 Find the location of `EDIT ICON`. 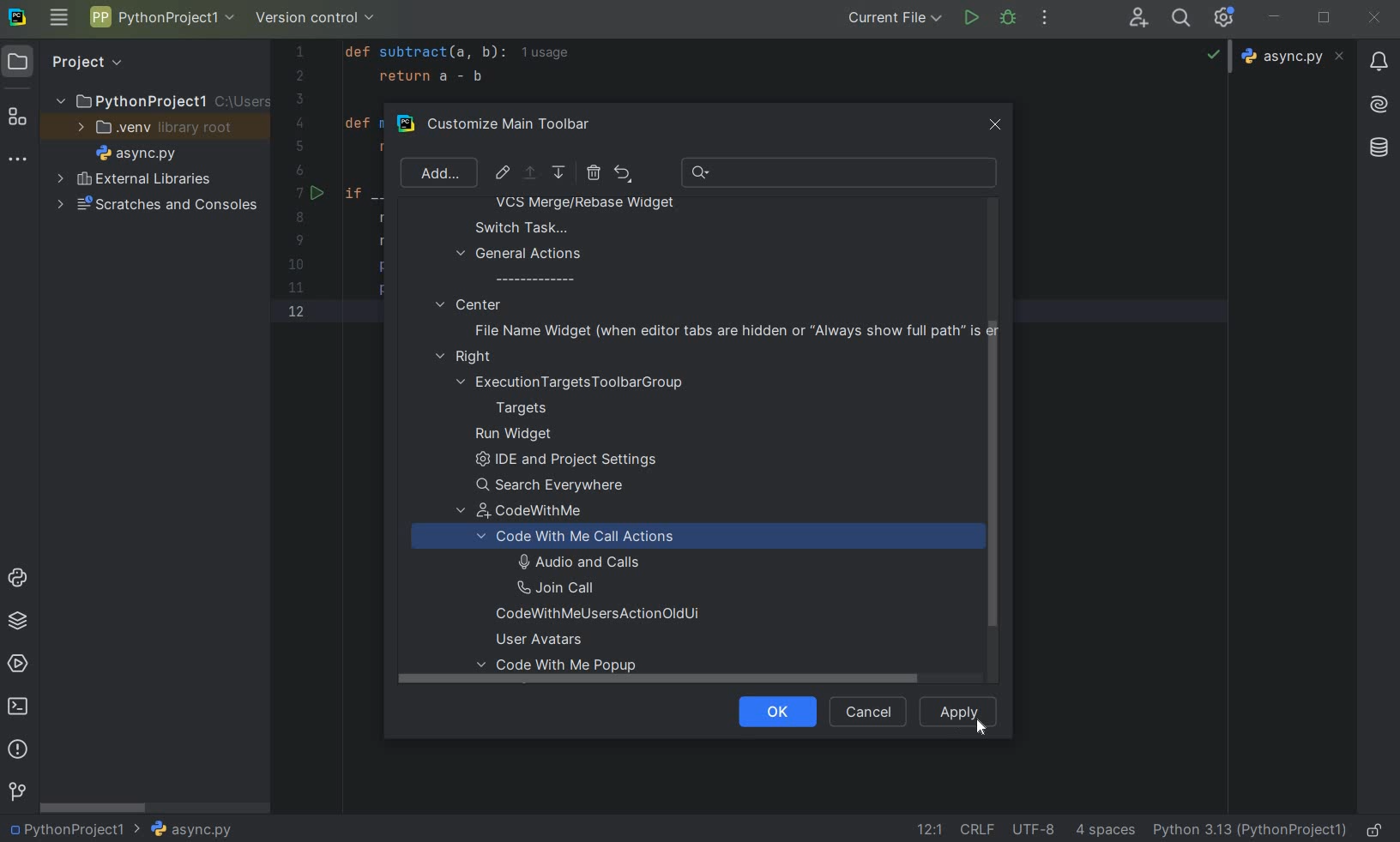

EDIT ICON is located at coordinates (503, 172).